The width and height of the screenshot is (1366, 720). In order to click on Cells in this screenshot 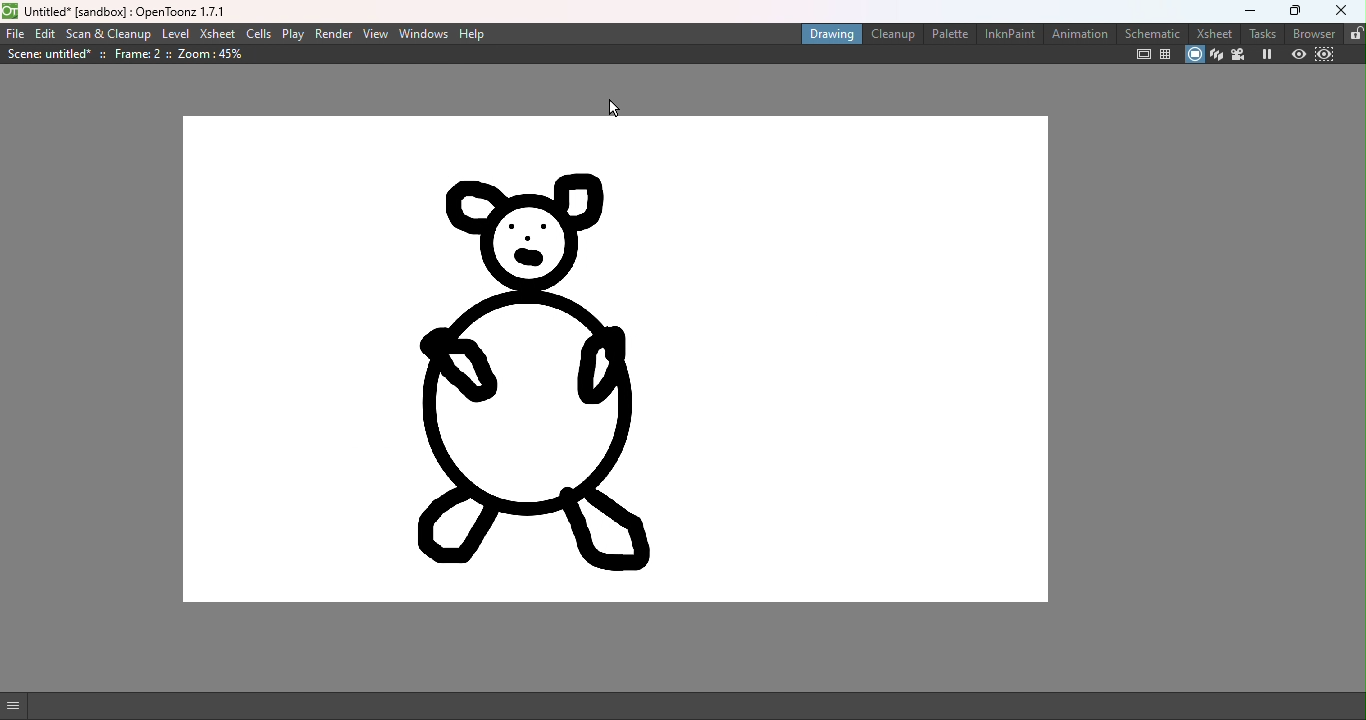, I will do `click(259, 34)`.